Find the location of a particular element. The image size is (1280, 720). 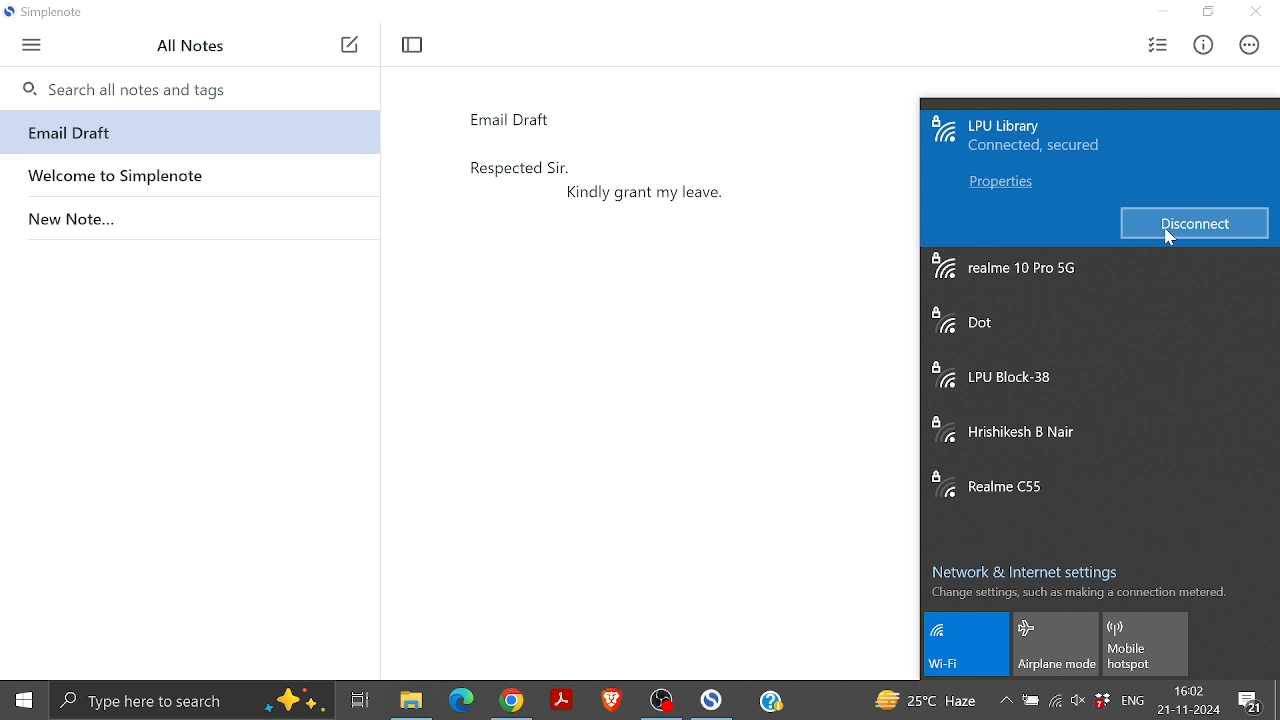

Info is located at coordinates (1202, 46).